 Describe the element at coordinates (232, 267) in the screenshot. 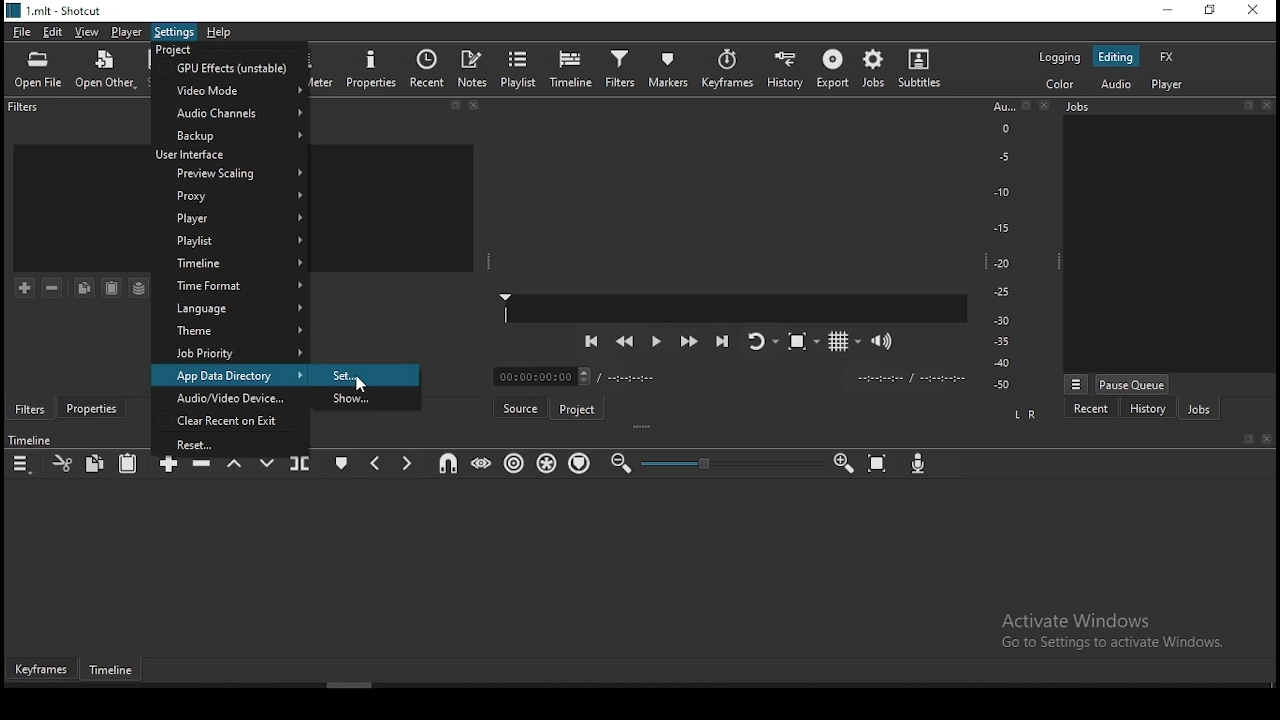

I see `time format` at that location.